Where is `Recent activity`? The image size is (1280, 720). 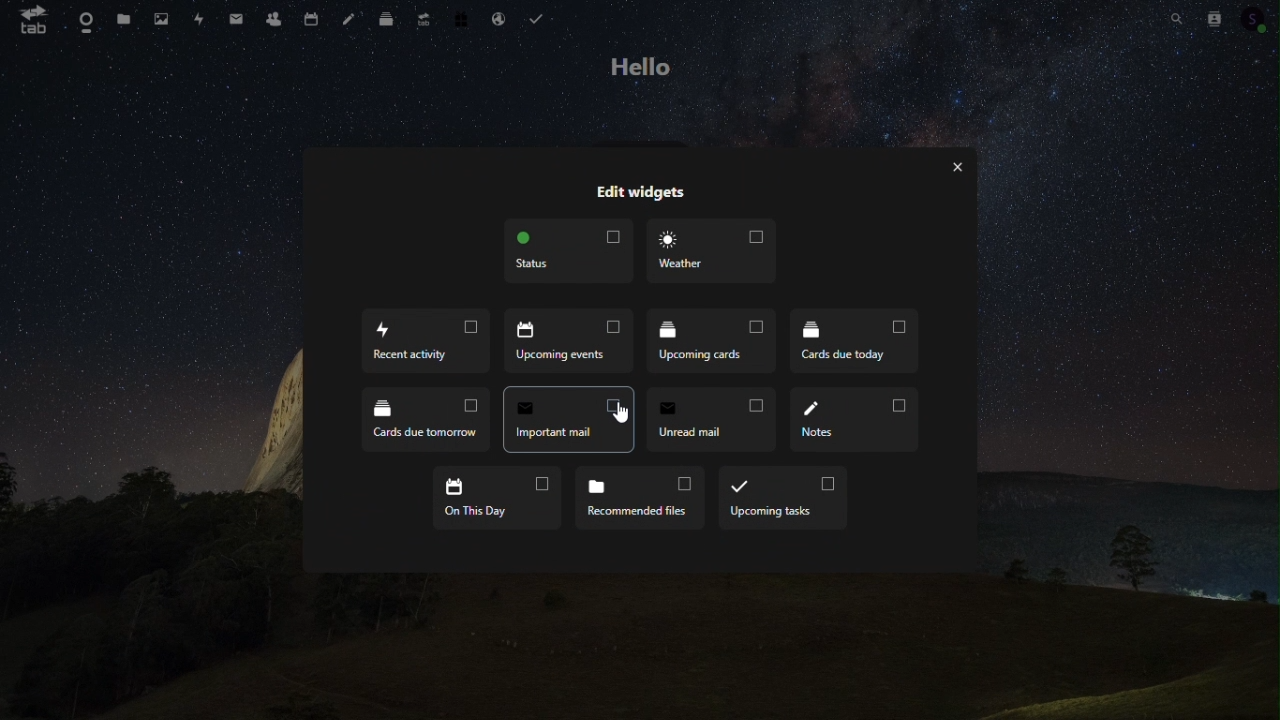
Recent activity is located at coordinates (421, 344).